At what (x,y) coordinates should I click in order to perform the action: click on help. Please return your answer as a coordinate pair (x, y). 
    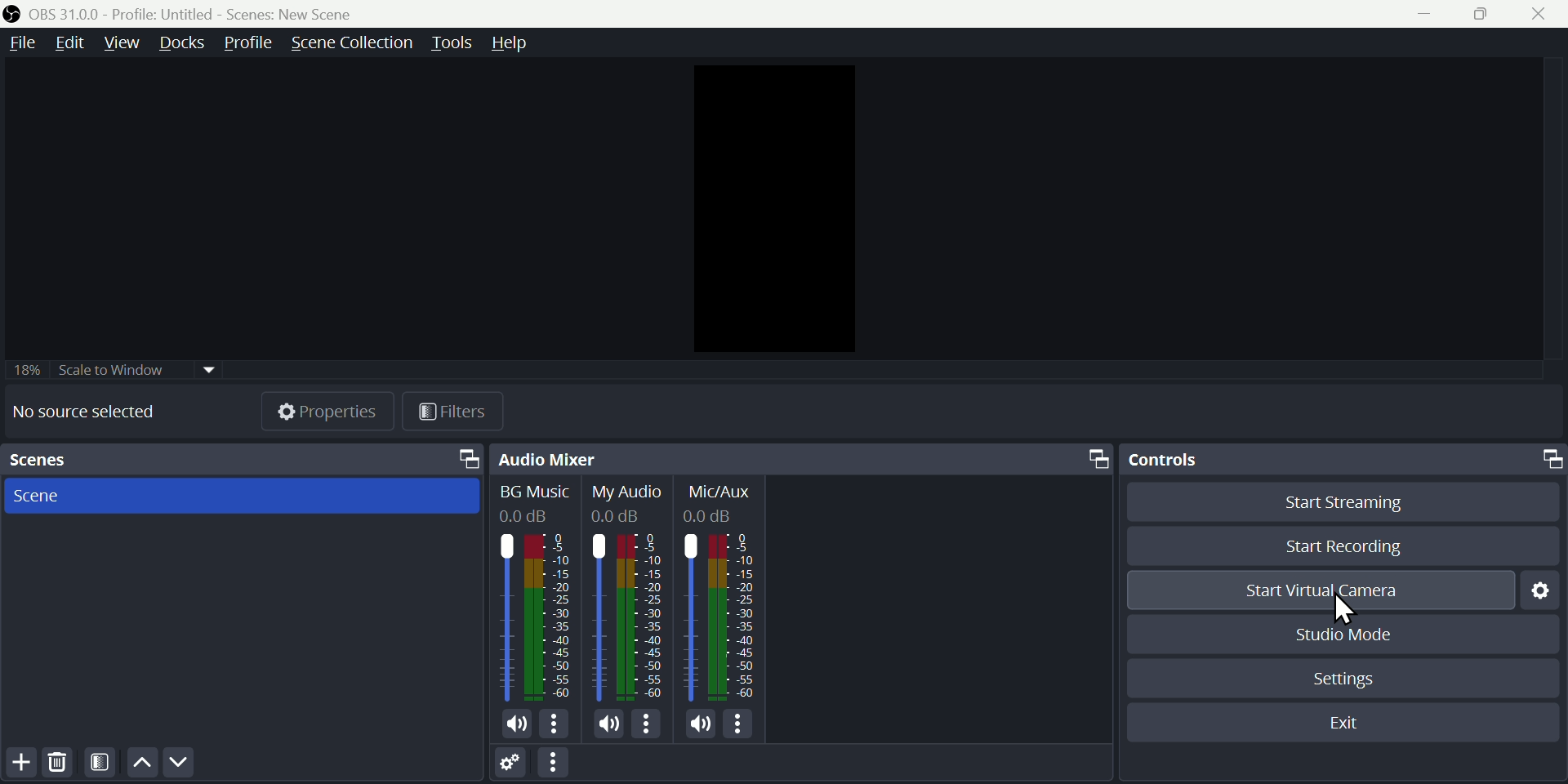
    Looking at the image, I should click on (506, 41).